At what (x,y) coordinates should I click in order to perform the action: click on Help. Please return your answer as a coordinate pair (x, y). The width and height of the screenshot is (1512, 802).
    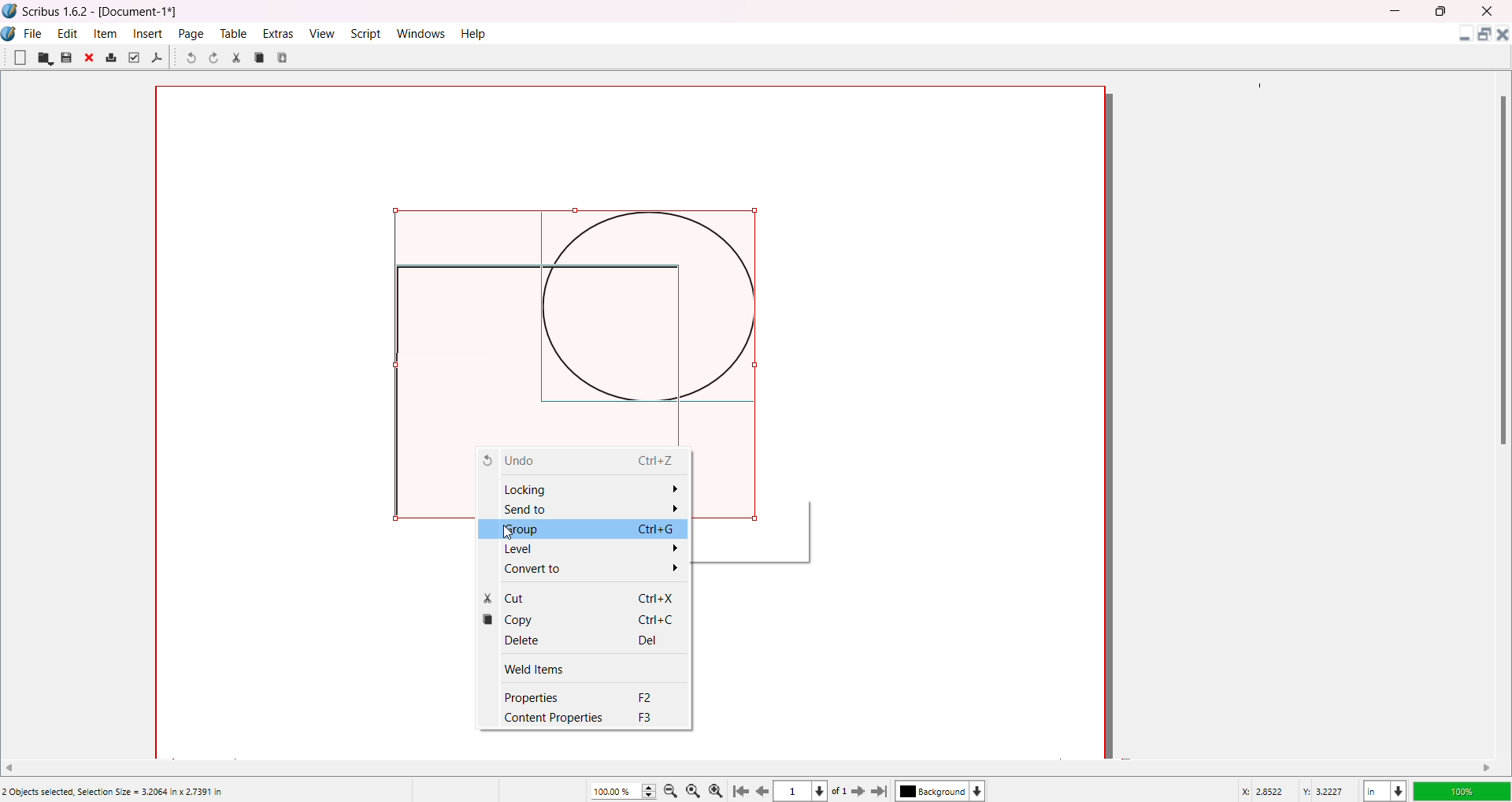
    Looking at the image, I should click on (475, 33).